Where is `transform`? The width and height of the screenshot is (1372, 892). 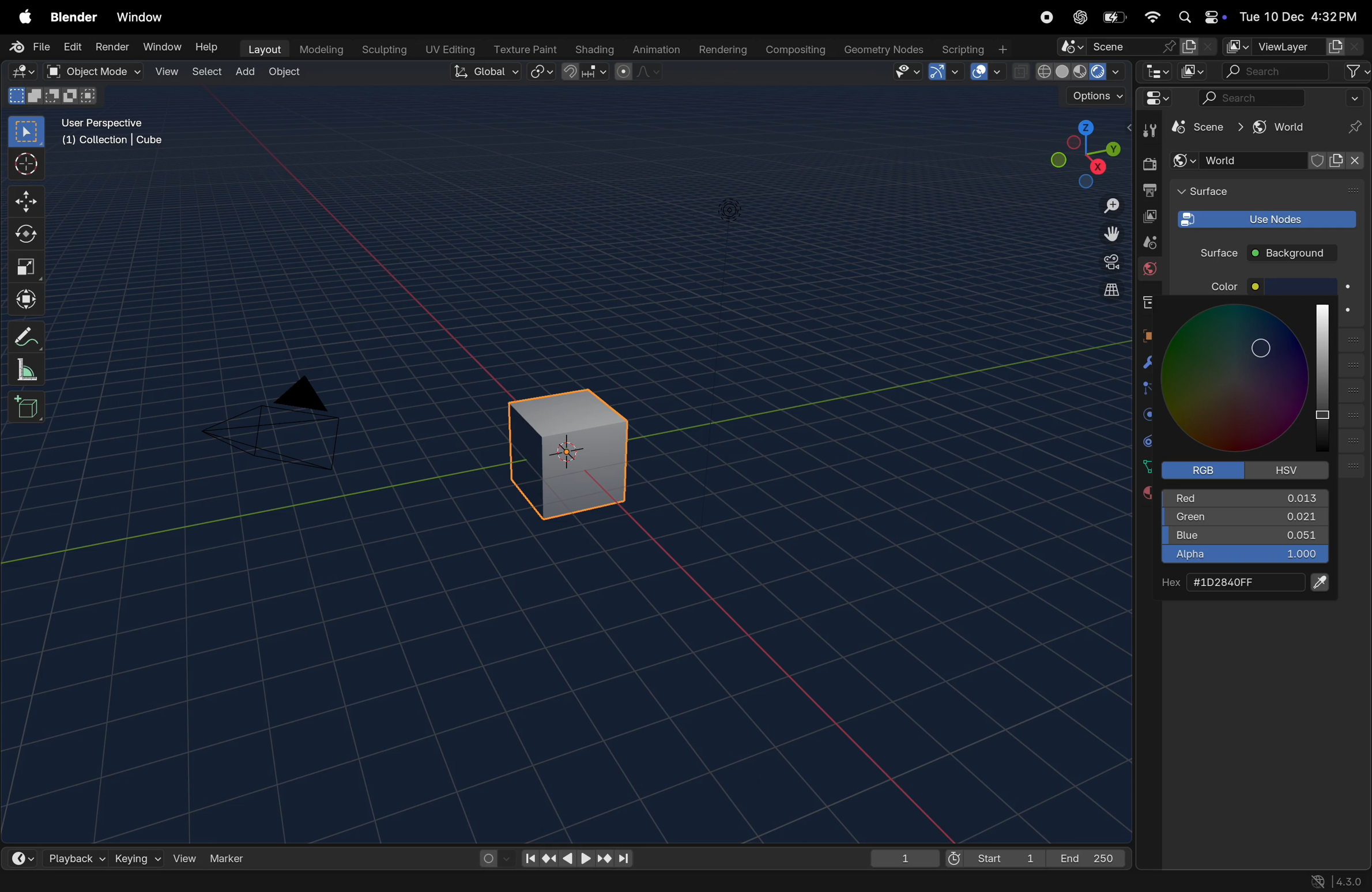 transform is located at coordinates (29, 235).